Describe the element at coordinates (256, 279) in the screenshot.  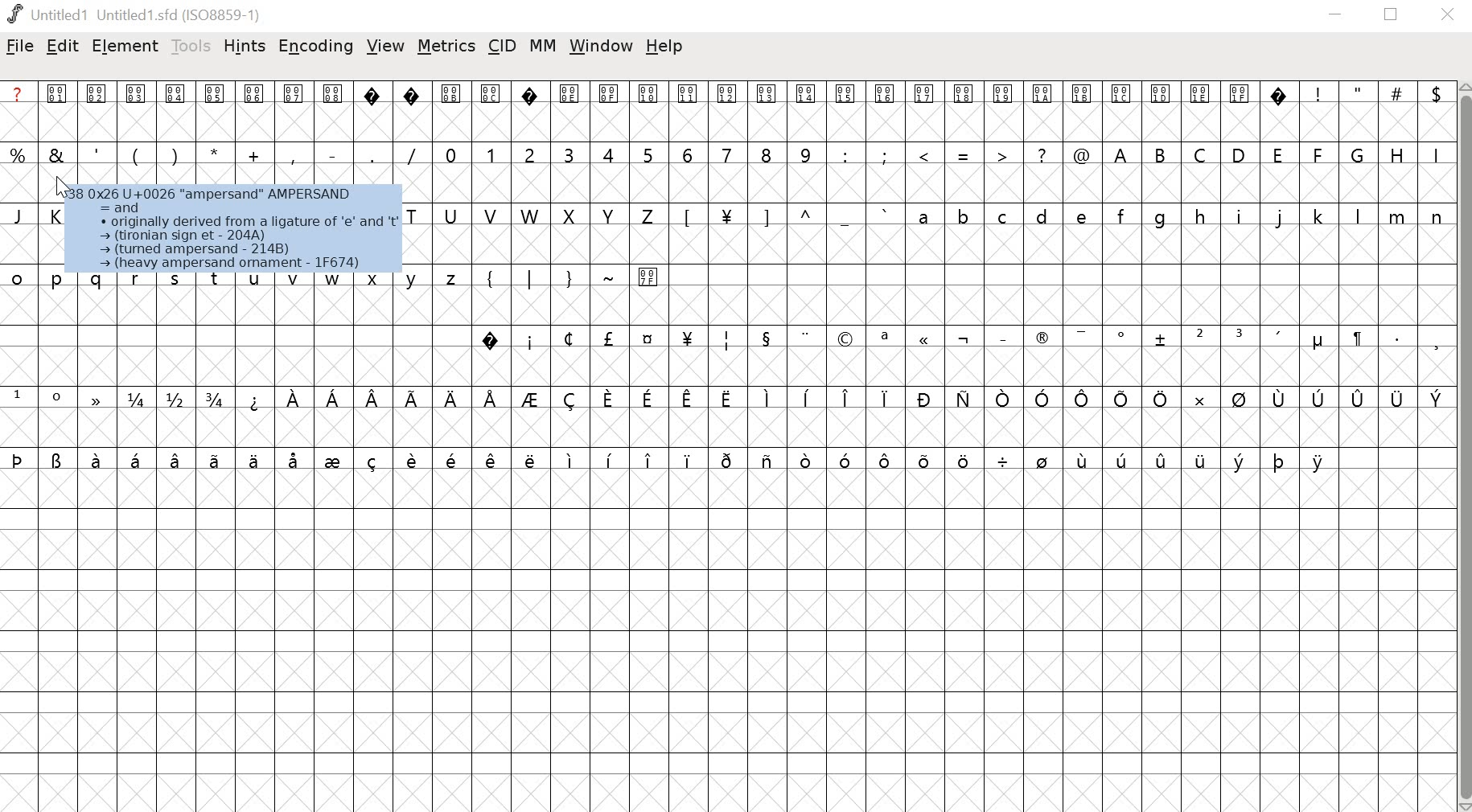
I see `u` at that location.